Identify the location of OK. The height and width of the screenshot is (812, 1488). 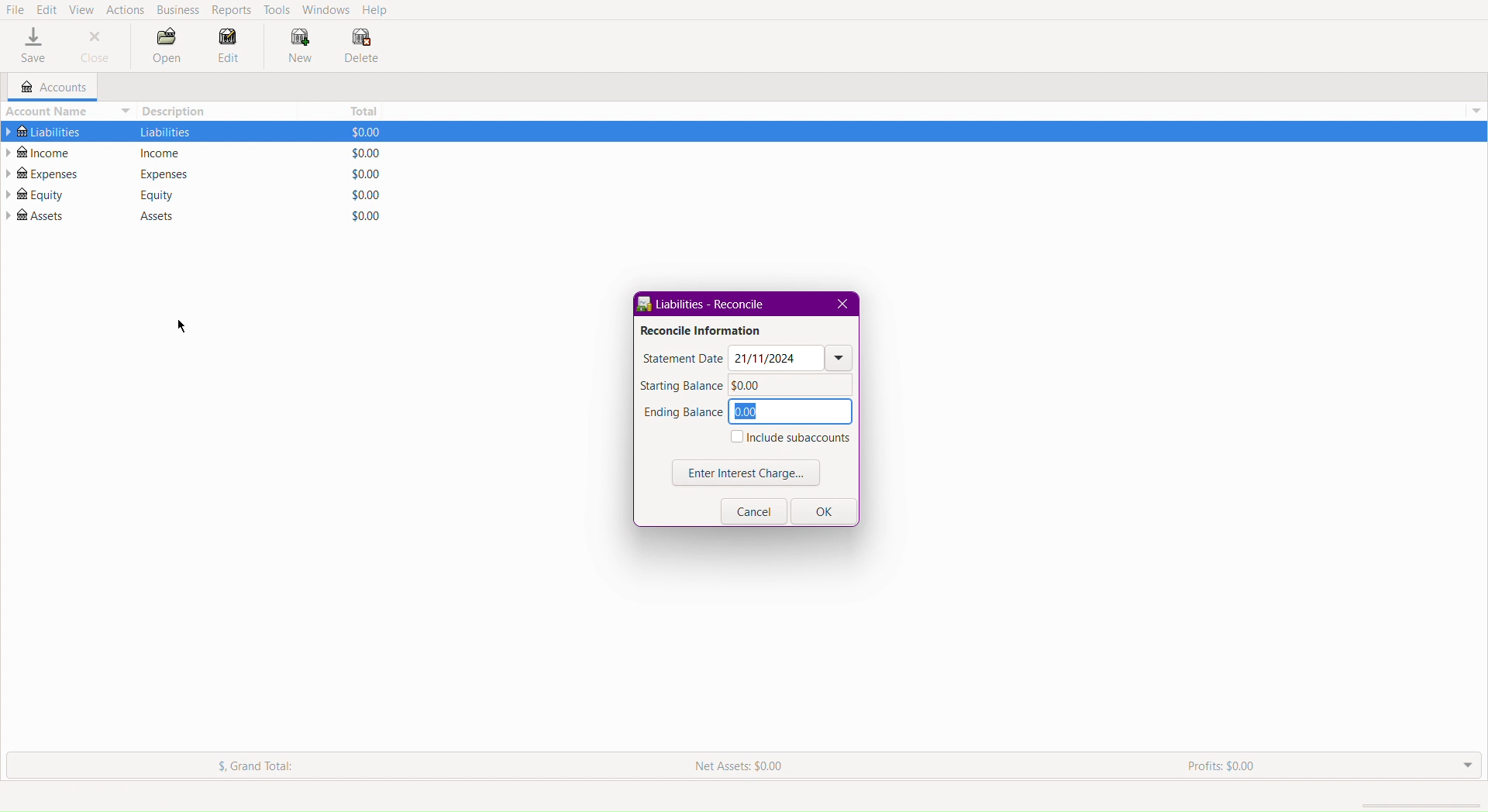
(825, 512).